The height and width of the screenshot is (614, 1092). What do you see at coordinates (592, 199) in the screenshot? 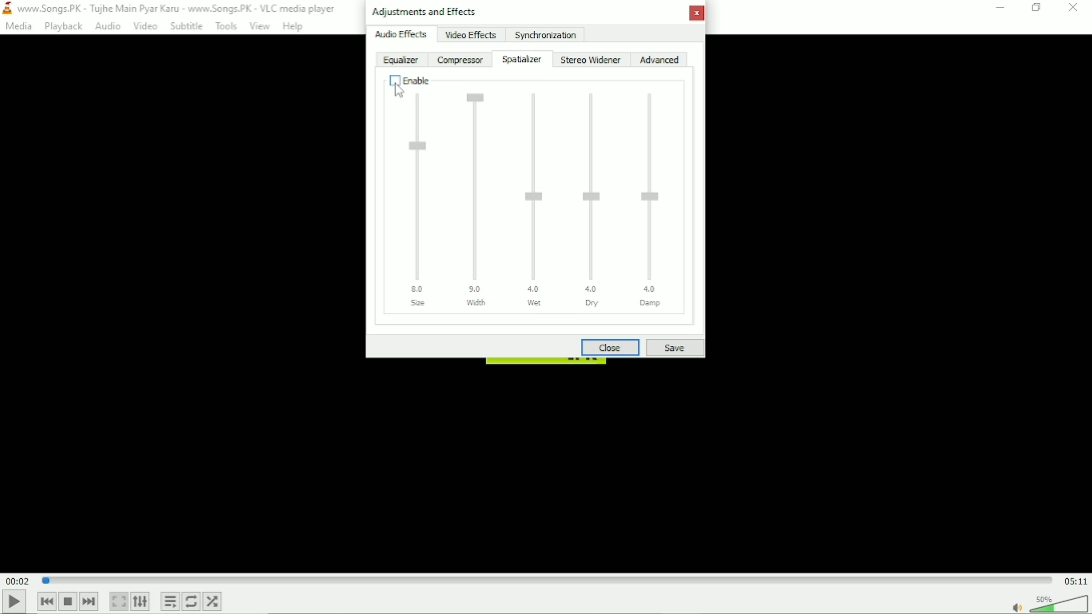
I see `Dry` at bounding box center [592, 199].